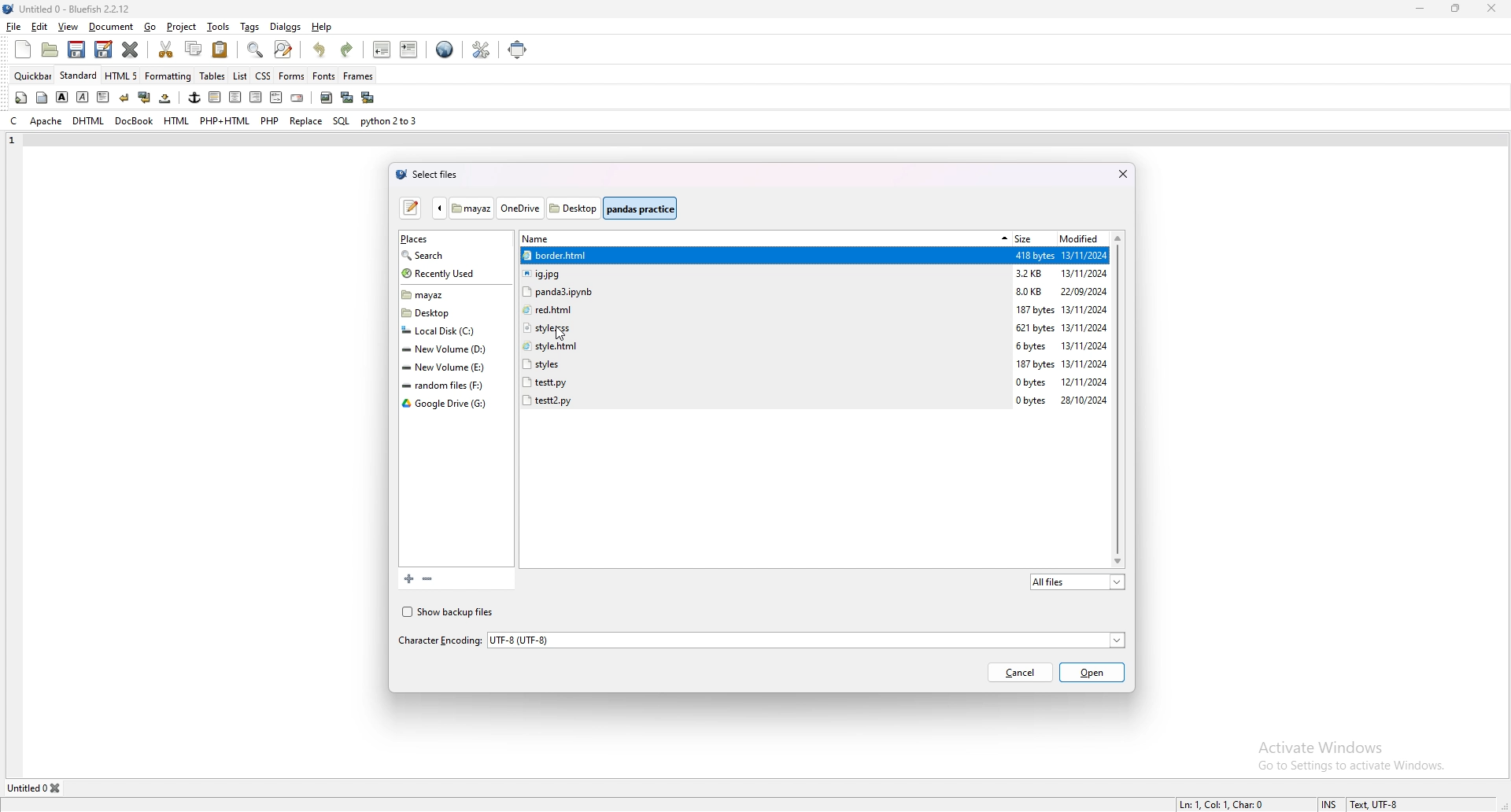 Image resolution: width=1511 pixels, height=812 pixels. Describe the element at coordinates (427, 578) in the screenshot. I see `remove` at that location.